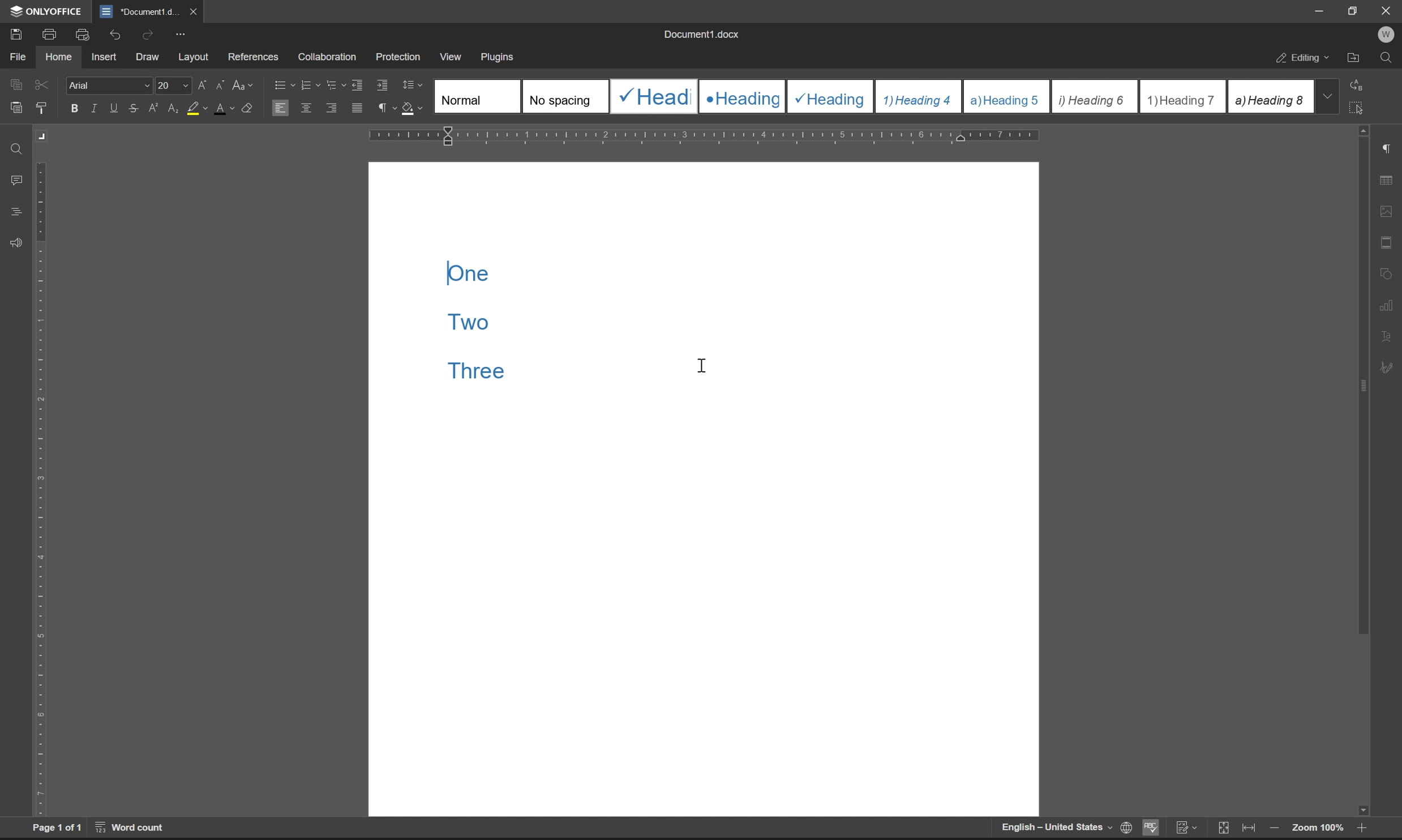  What do you see at coordinates (1223, 829) in the screenshot?
I see `fit to slide` at bounding box center [1223, 829].